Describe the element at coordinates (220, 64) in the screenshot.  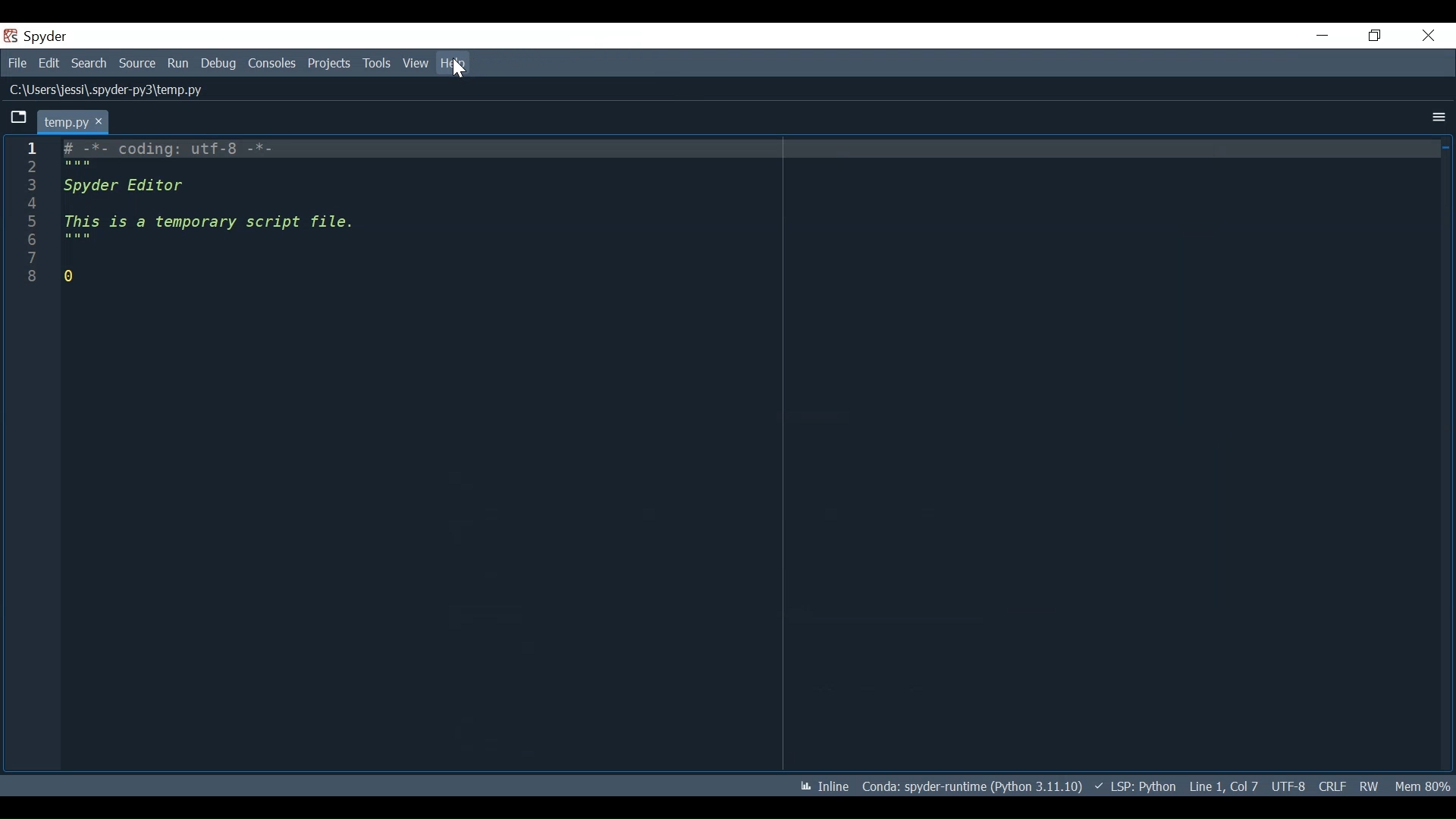
I see `Debug` at that location.